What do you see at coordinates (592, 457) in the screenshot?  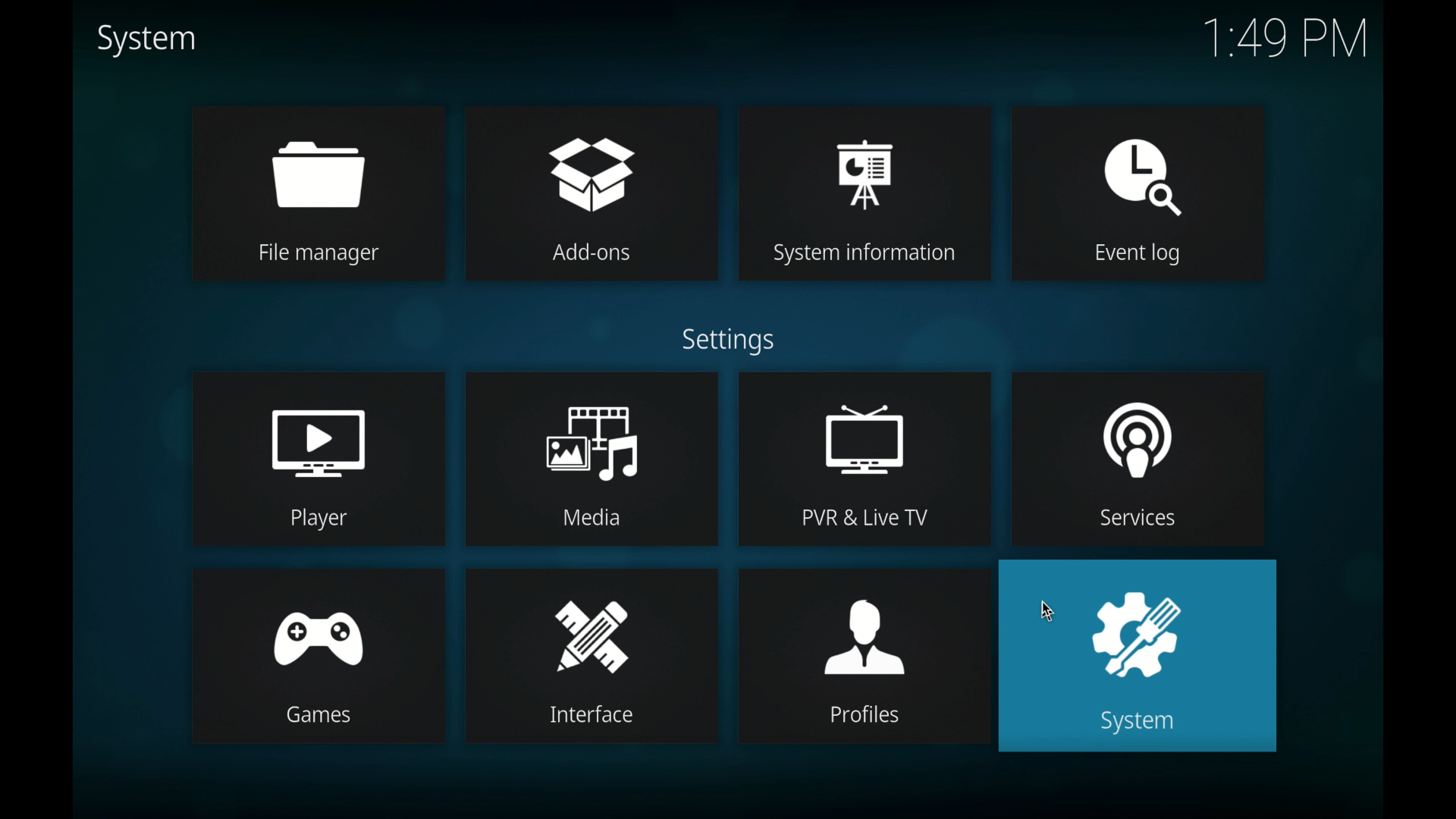 I see `media` at bounding box center [592, 457].